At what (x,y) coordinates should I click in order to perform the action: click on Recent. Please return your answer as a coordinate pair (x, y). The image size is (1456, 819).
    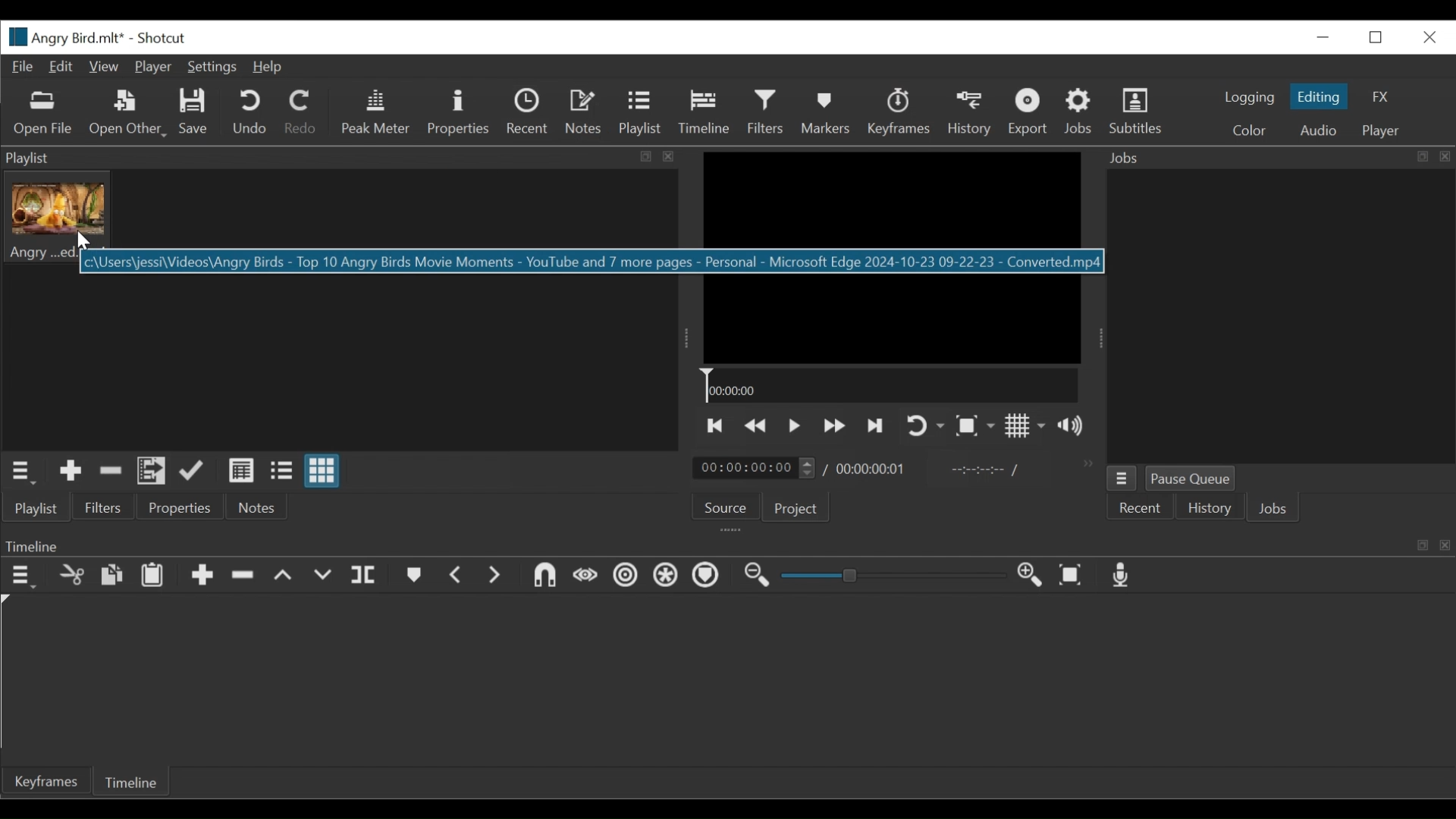
    Looking at the image, I should click on (526, 113).